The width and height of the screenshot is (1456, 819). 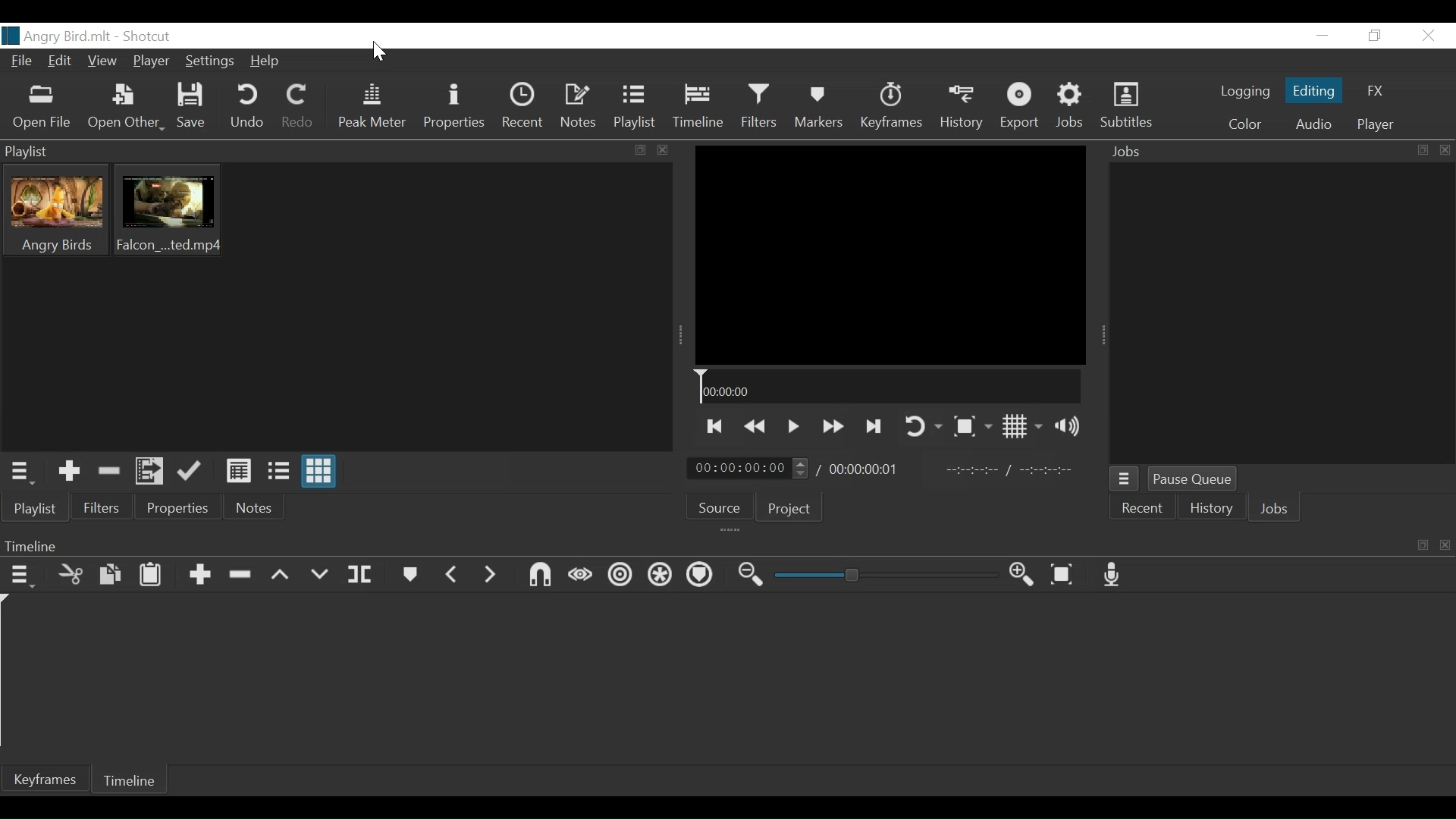 I want to click on History, so click(x=1213, y=510).